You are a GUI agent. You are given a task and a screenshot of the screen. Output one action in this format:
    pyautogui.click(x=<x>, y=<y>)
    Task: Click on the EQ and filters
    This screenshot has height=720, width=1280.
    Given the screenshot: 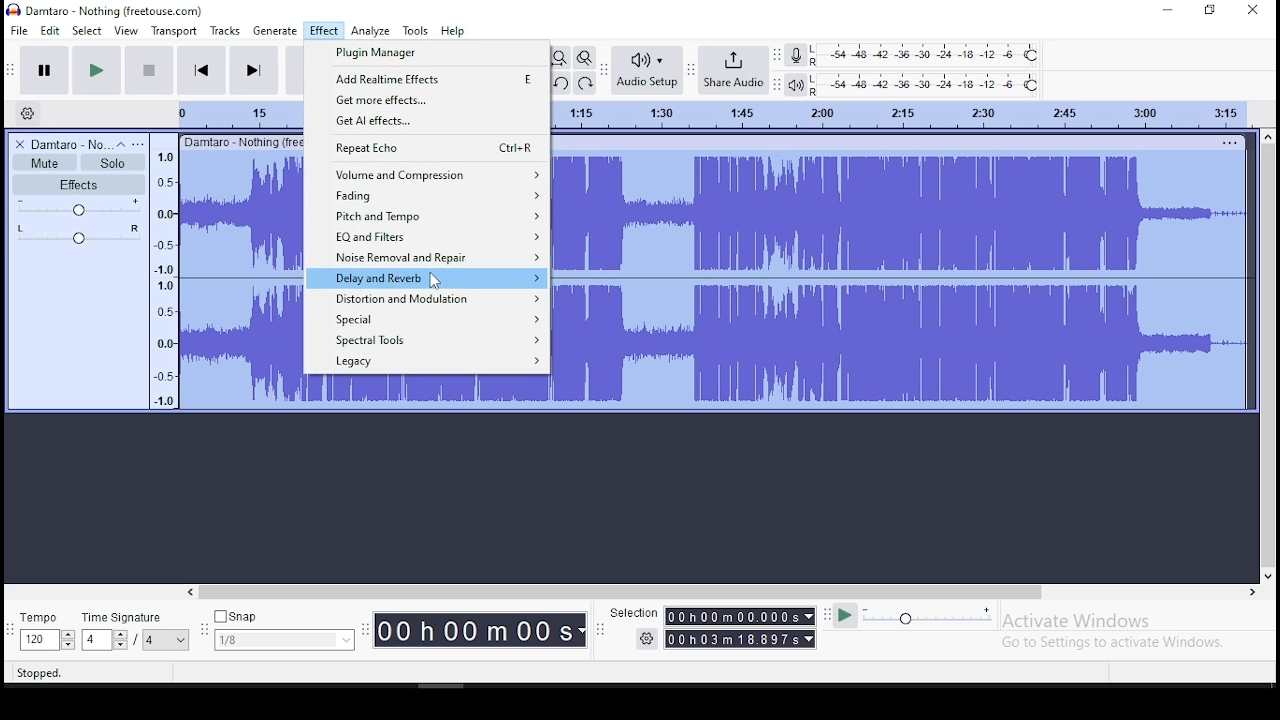 What is the action you would take?
    pyautogui.click(x=426, y=237)
    